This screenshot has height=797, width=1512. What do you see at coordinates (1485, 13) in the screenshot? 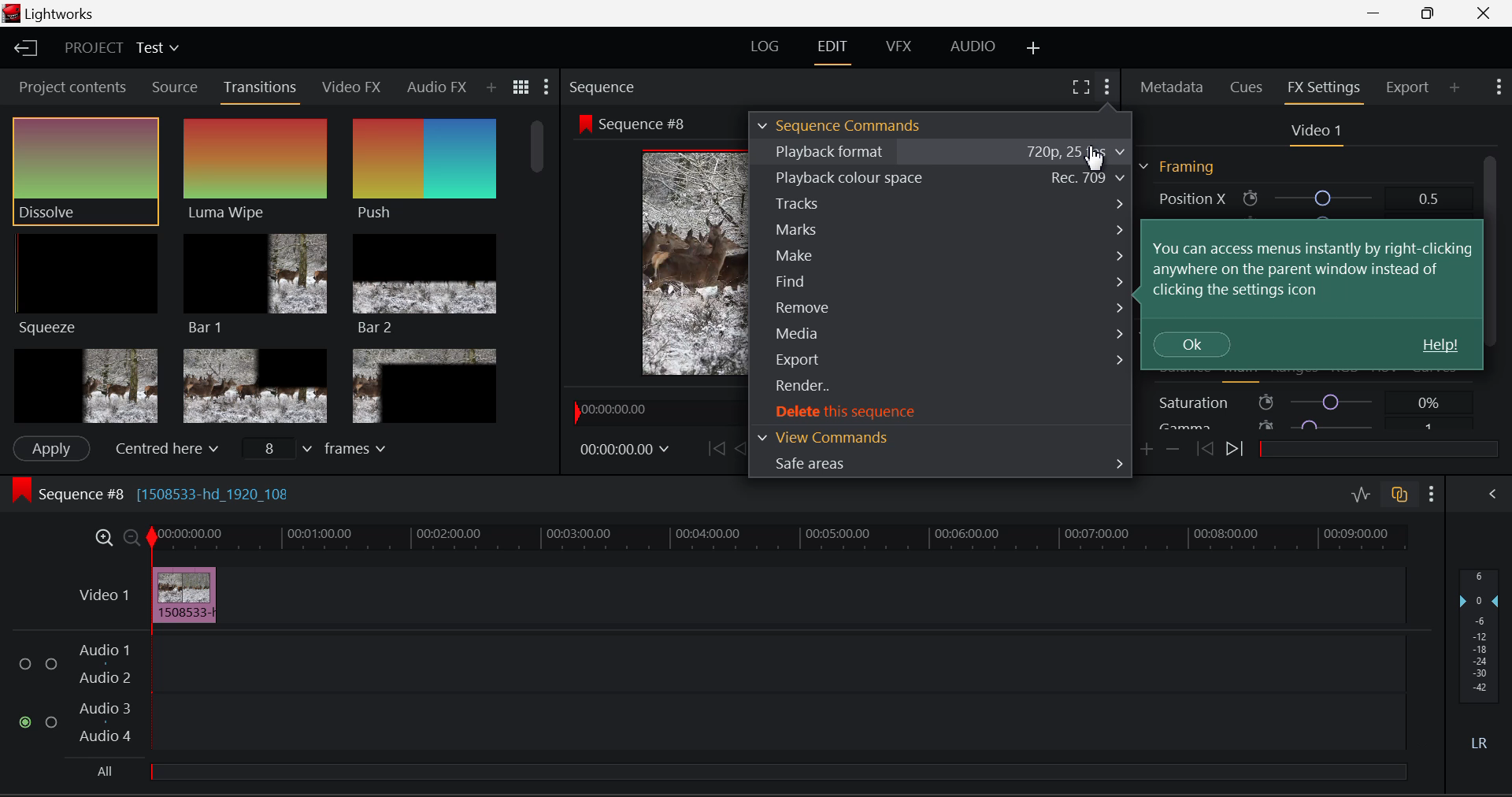
I see `Close` at bounding box center [1485, 13].